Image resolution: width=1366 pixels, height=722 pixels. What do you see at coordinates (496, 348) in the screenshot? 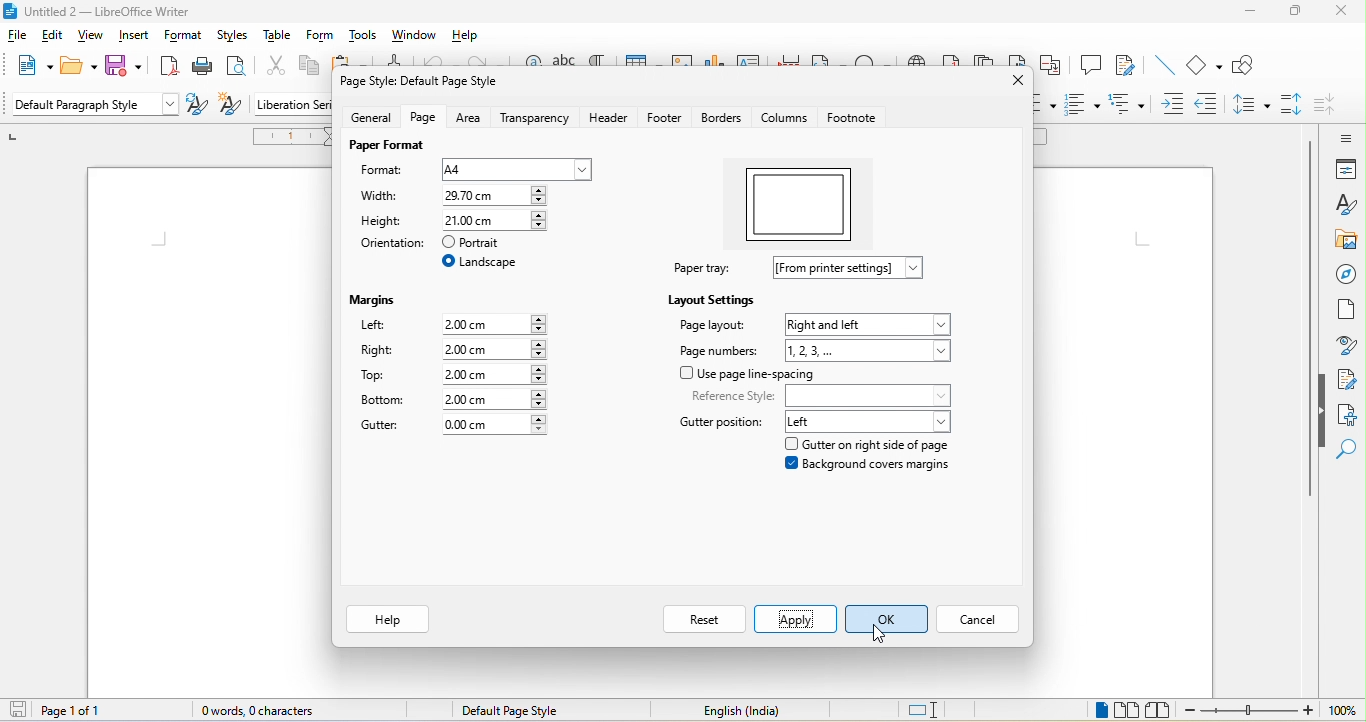
I see `2.00 cm` at bounding box center [496, 348].